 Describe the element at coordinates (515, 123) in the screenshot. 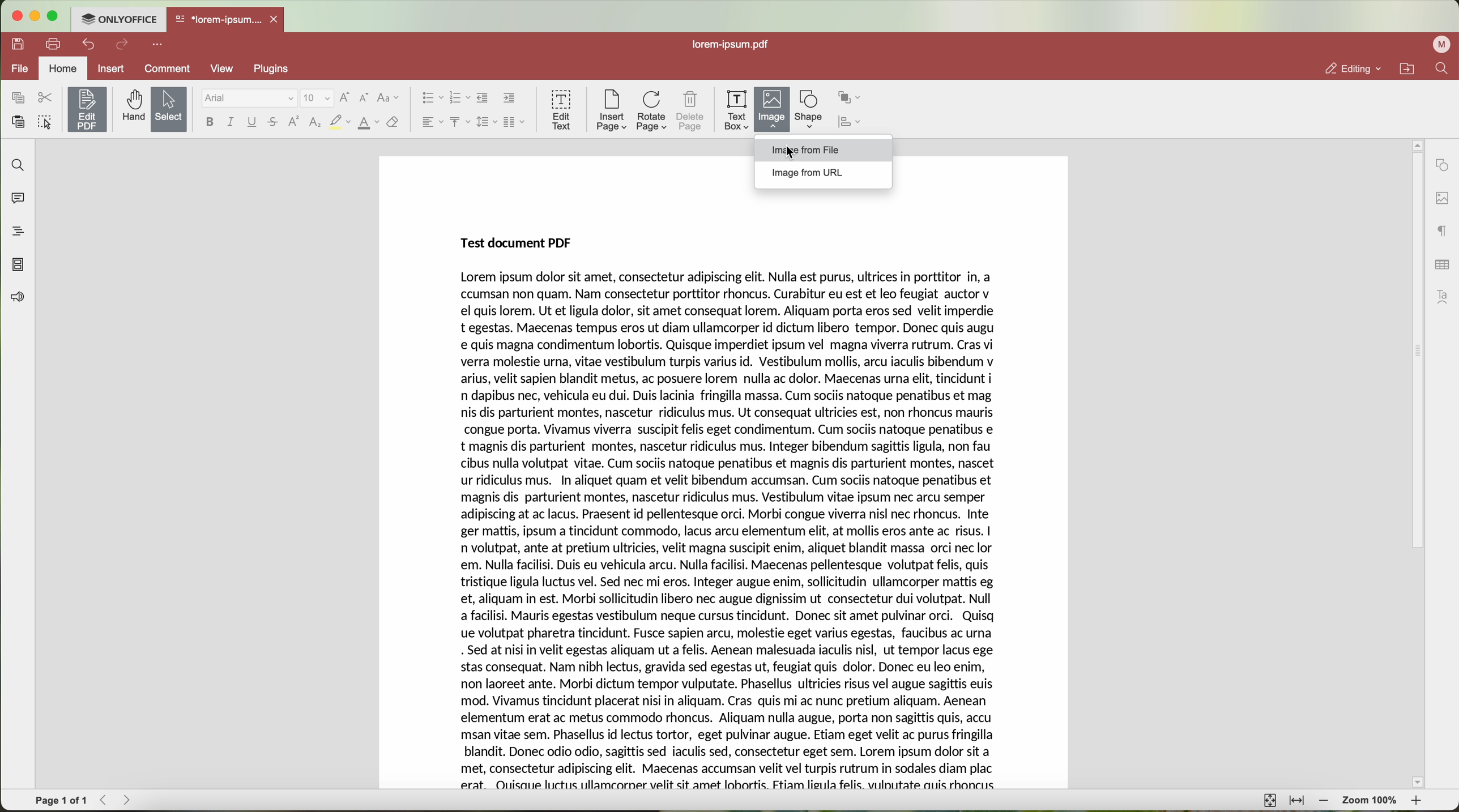

I see `insert columns` at that location.